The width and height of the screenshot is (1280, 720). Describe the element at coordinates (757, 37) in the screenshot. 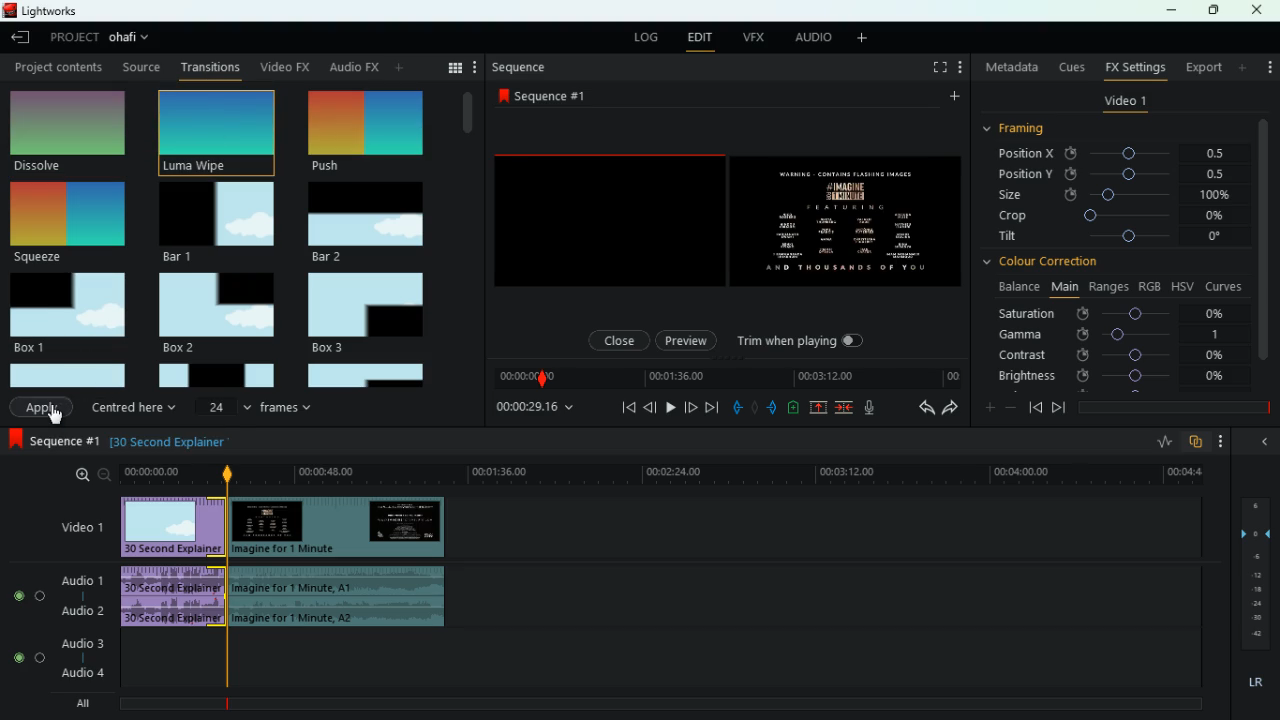

I see `vfx` at that location.